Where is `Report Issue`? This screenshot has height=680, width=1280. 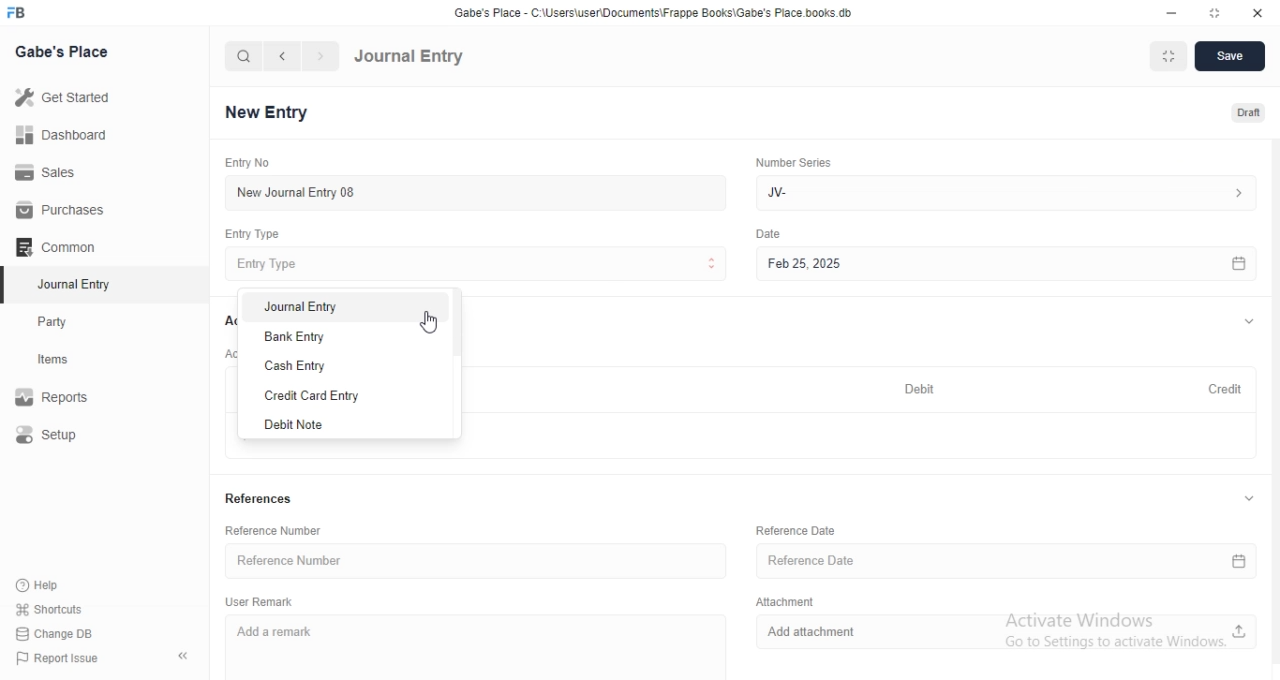 Report Issue is located at coordinates (67, 658).